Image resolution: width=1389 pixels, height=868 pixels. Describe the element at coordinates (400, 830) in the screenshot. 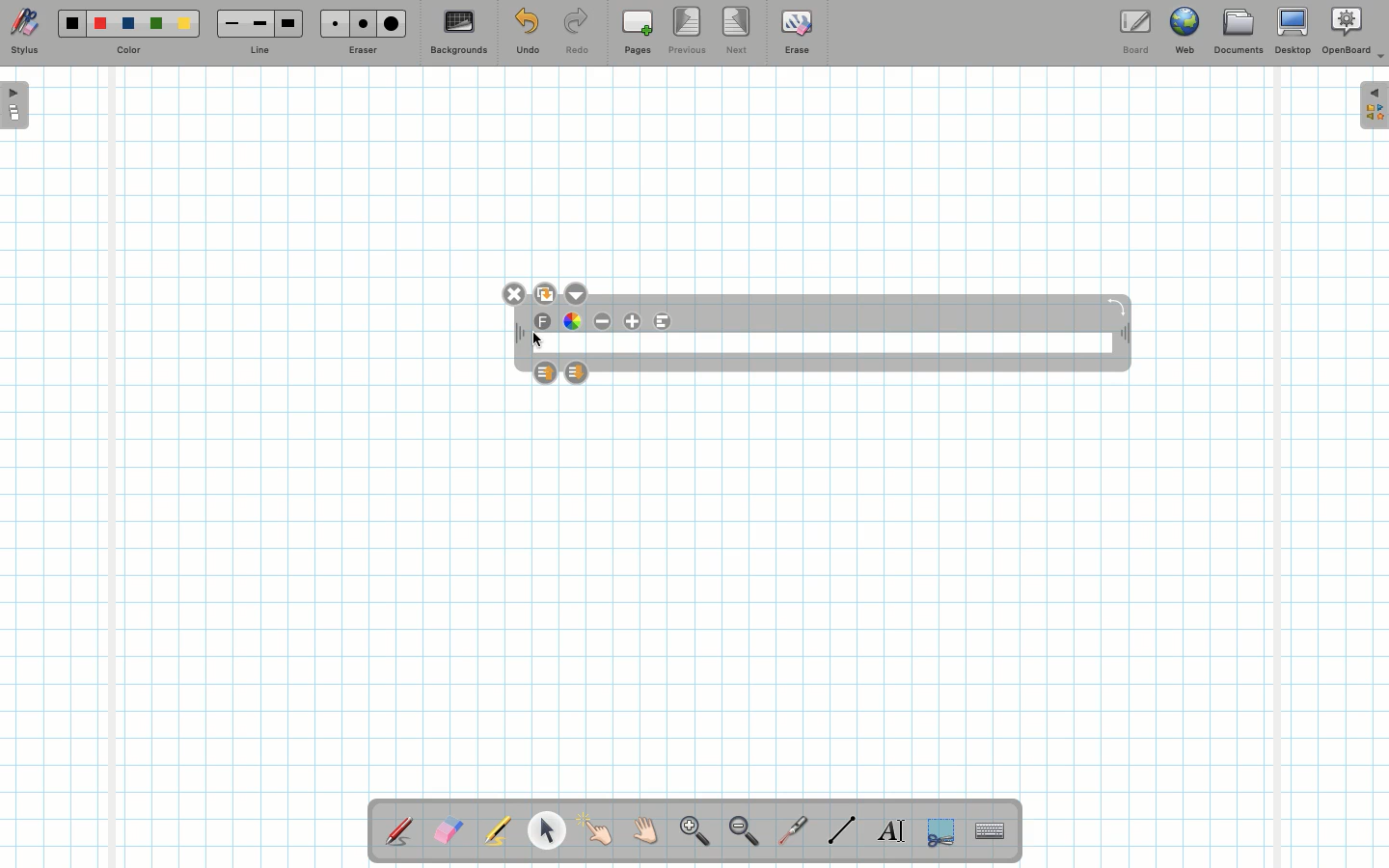

I see `Stylus` at that location.